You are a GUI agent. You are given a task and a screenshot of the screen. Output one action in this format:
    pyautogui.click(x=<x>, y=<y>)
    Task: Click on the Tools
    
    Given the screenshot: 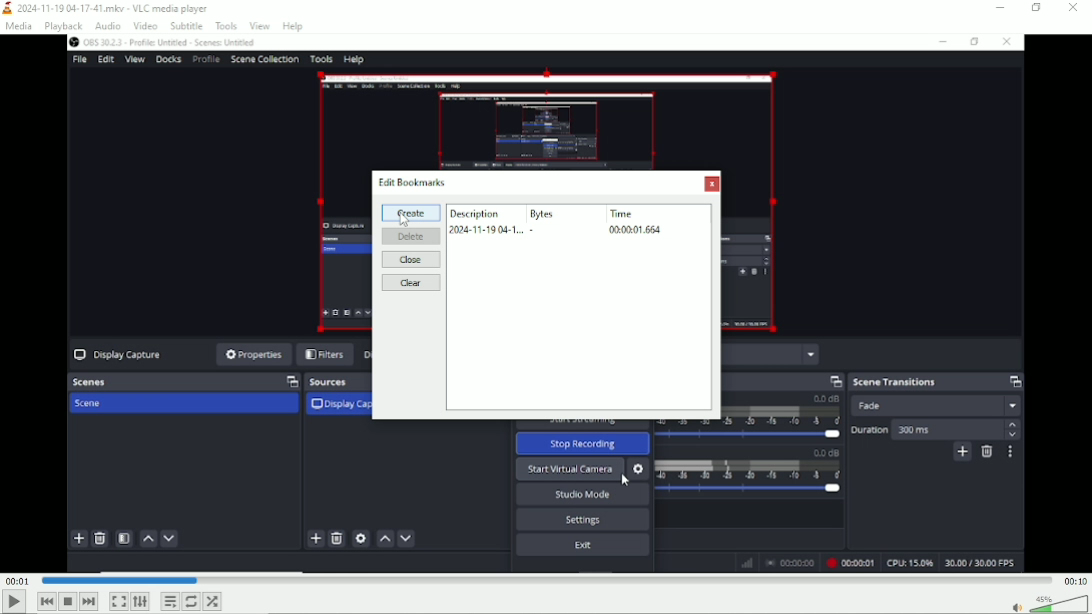 What is the action you would take?
    pyautogui.click(x=227, y=26)
    